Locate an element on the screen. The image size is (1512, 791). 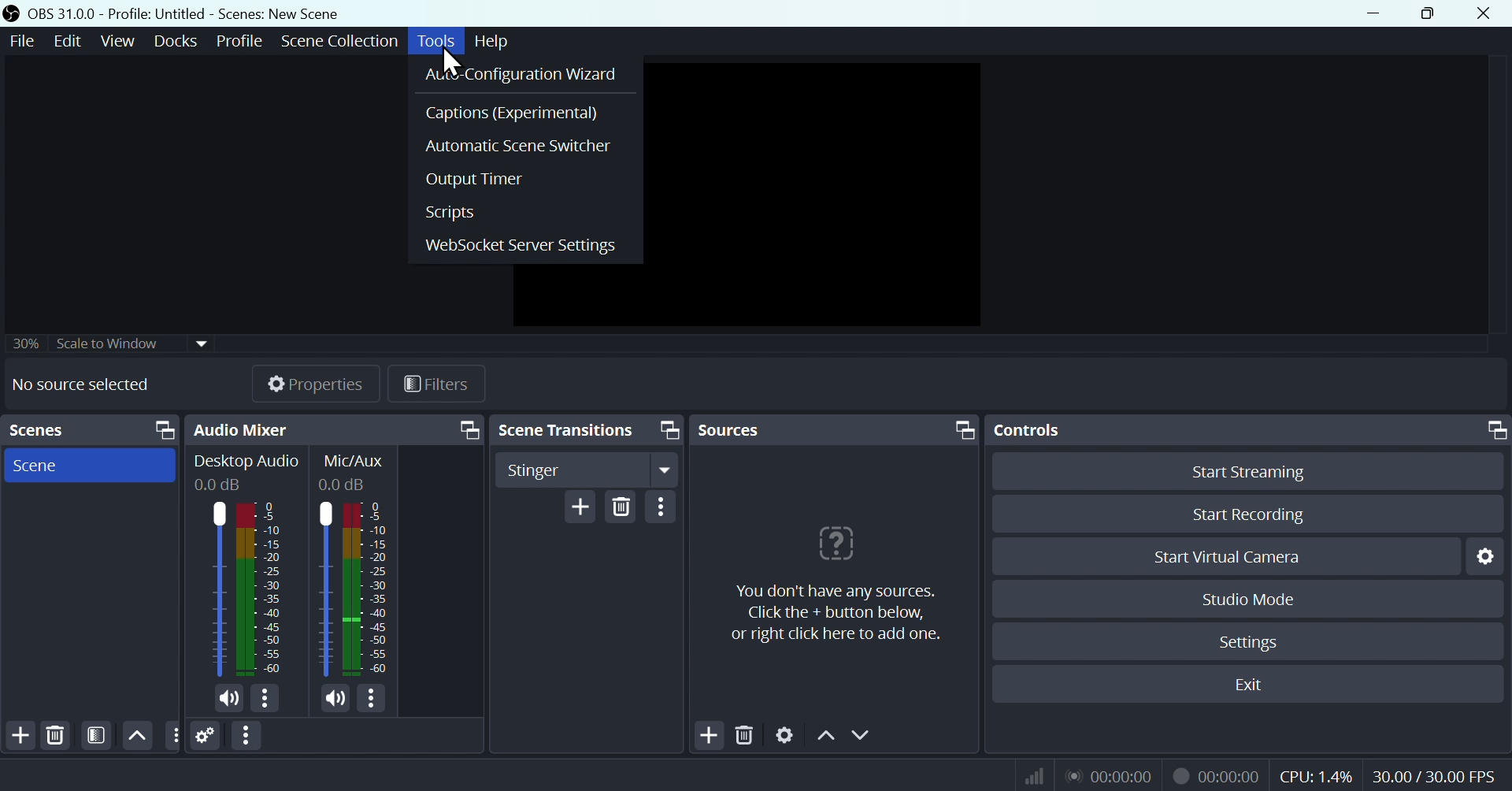
screen resize is located at coordinates (667, 430).